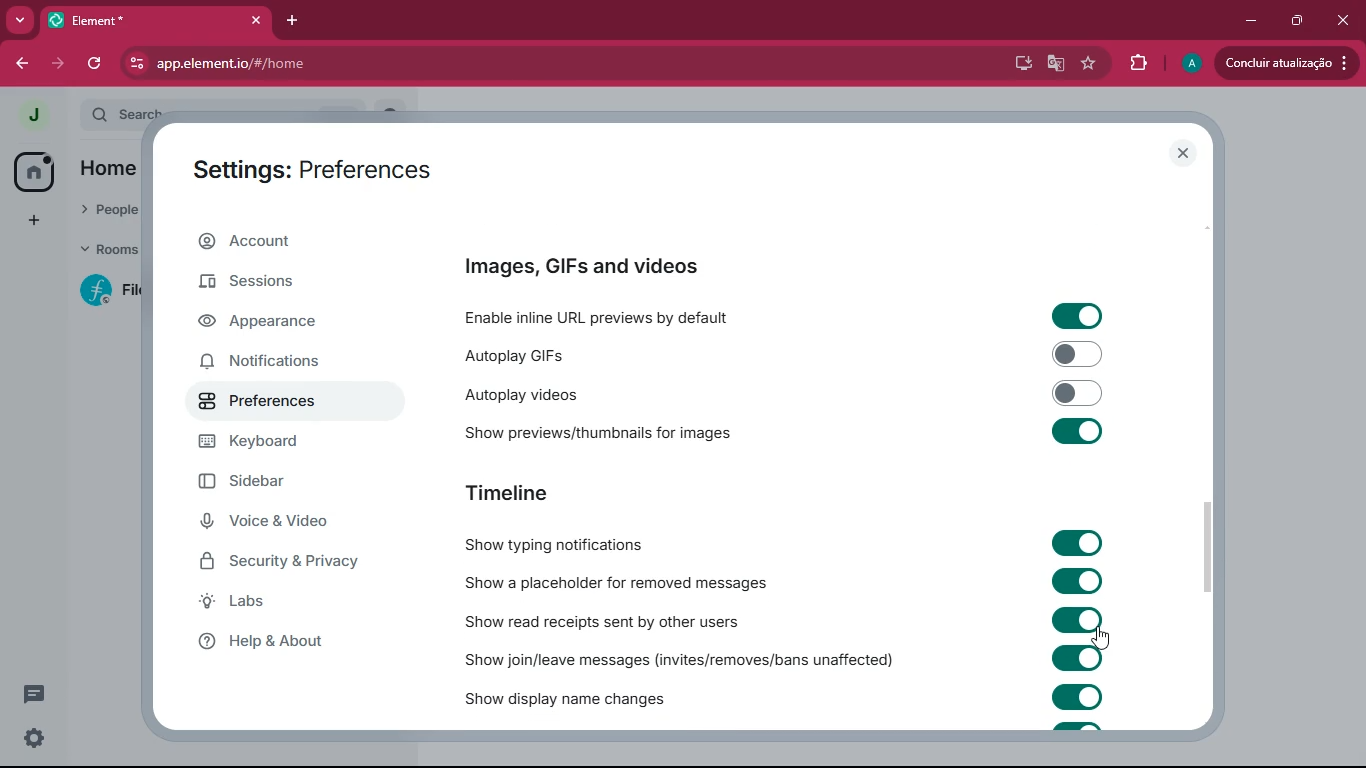 Image resolution: width=1366 pixels, height=768 pixels. What do you see at coordinates (1210, 547) in the screenshot?
I see `scroll bar` at bounding box center [1210, 547].